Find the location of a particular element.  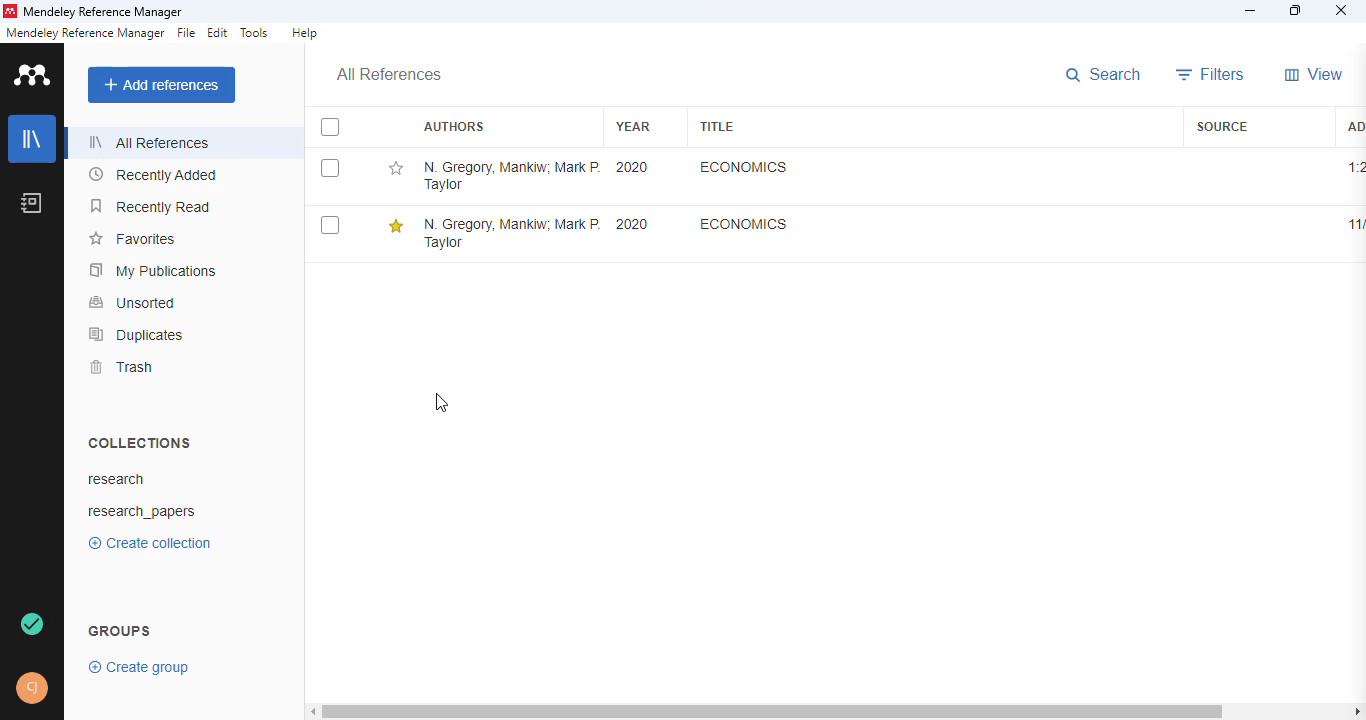

add references is located at coordinates (162, 85).